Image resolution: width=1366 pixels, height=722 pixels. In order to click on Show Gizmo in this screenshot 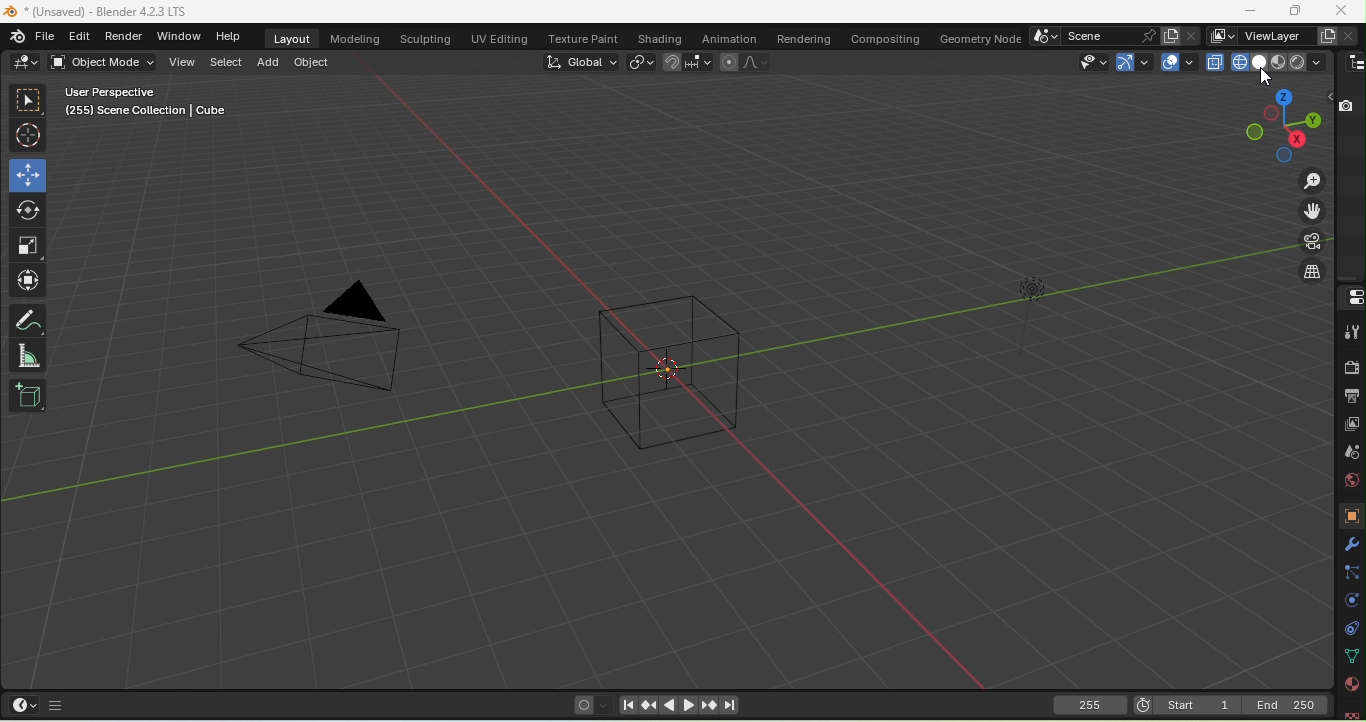, I will do `click(1134, 62)`.